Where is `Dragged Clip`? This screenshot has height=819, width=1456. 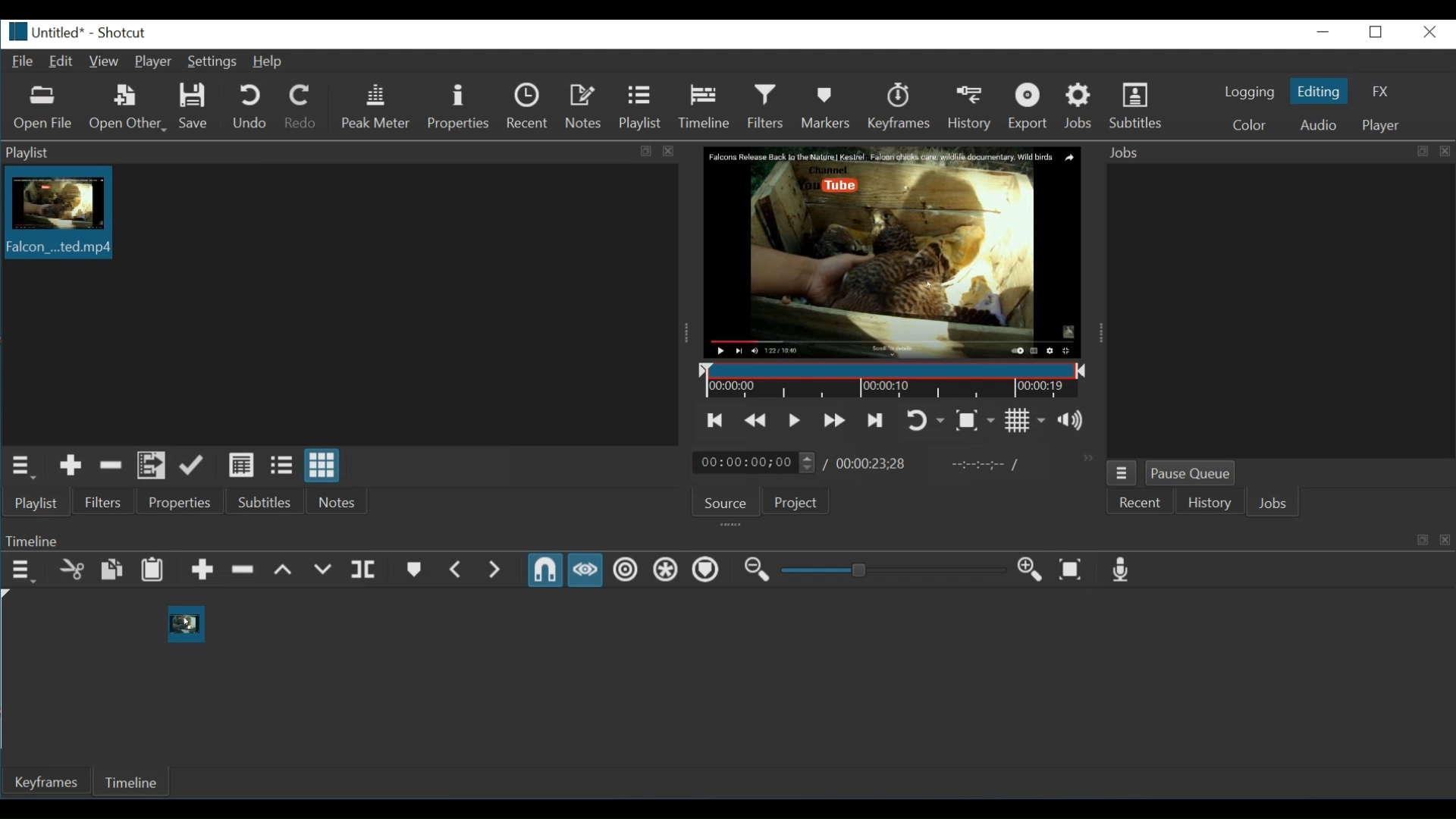
Dragged Clip is located at coordinates (185, 623).